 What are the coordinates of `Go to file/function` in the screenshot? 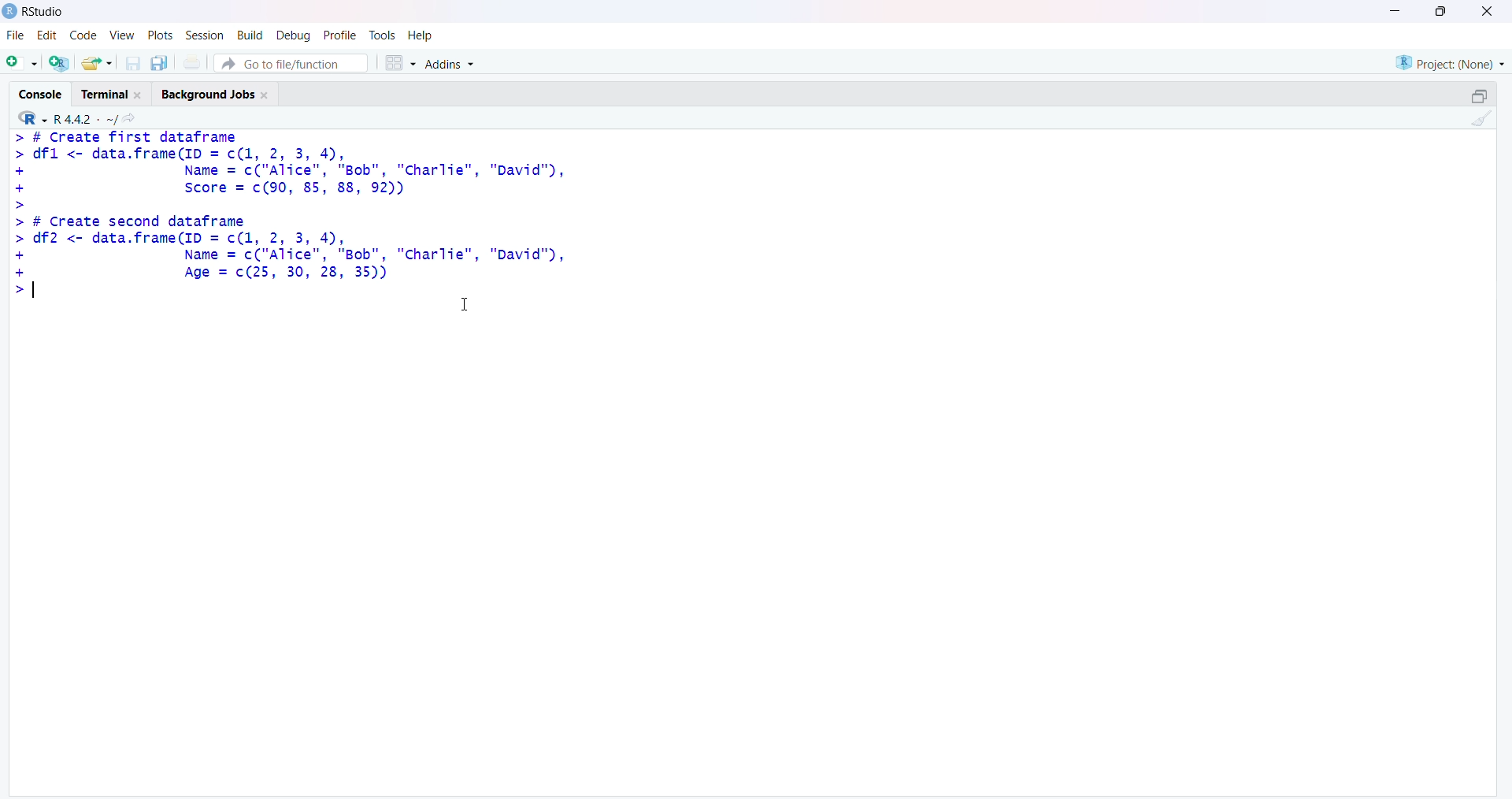 It's located at (291, 63).